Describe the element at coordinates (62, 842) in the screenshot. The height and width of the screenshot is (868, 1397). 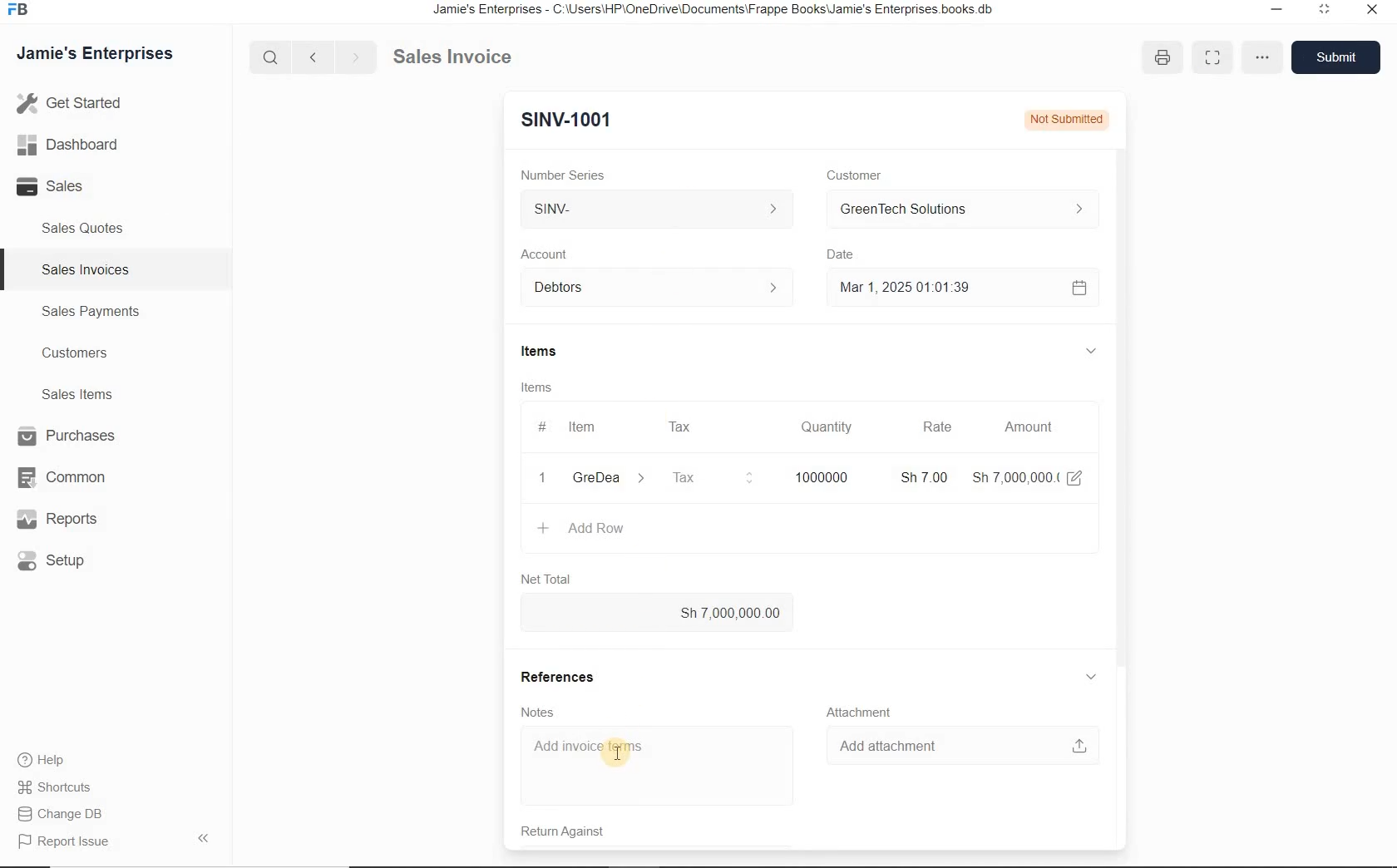
I see `Report Issue` at that location.